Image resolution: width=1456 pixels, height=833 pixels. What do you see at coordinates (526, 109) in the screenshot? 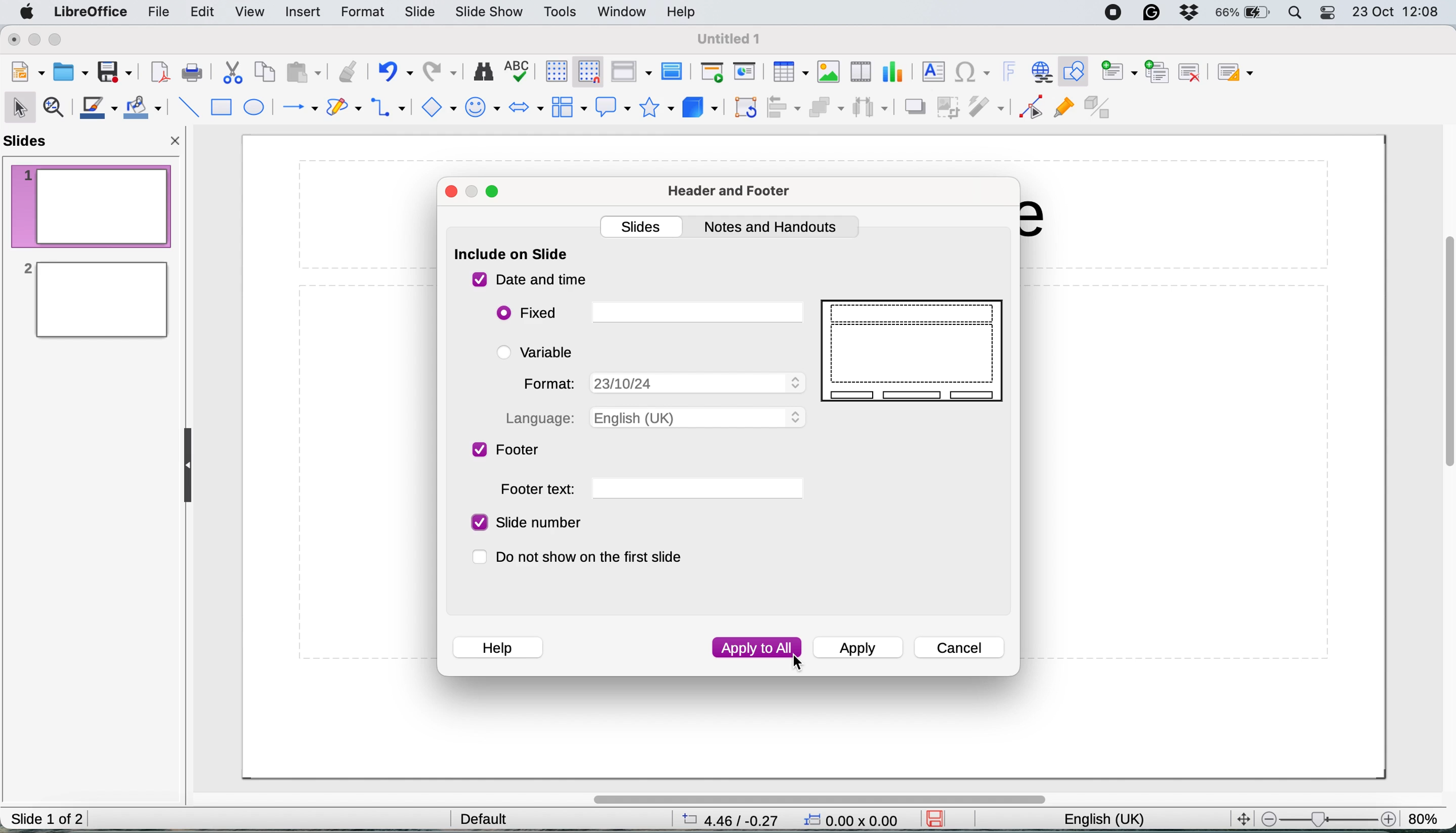
I see `block arrows` at bounding box center [526, 109].